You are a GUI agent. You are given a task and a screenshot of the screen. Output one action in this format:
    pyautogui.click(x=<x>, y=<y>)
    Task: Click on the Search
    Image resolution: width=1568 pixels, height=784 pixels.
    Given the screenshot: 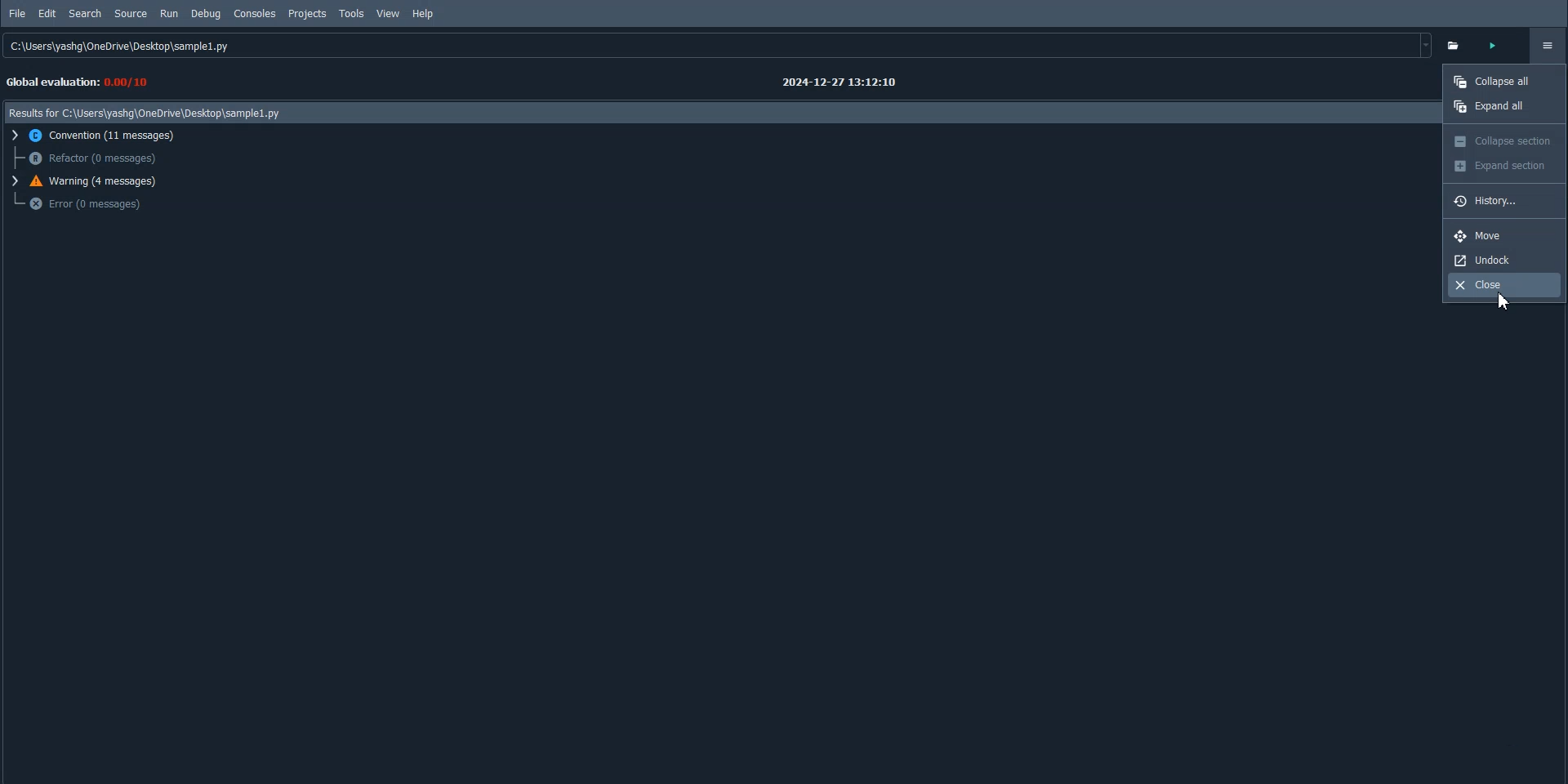 What is the action you would take?
    pyautogui.click(x=86, y=13)
    